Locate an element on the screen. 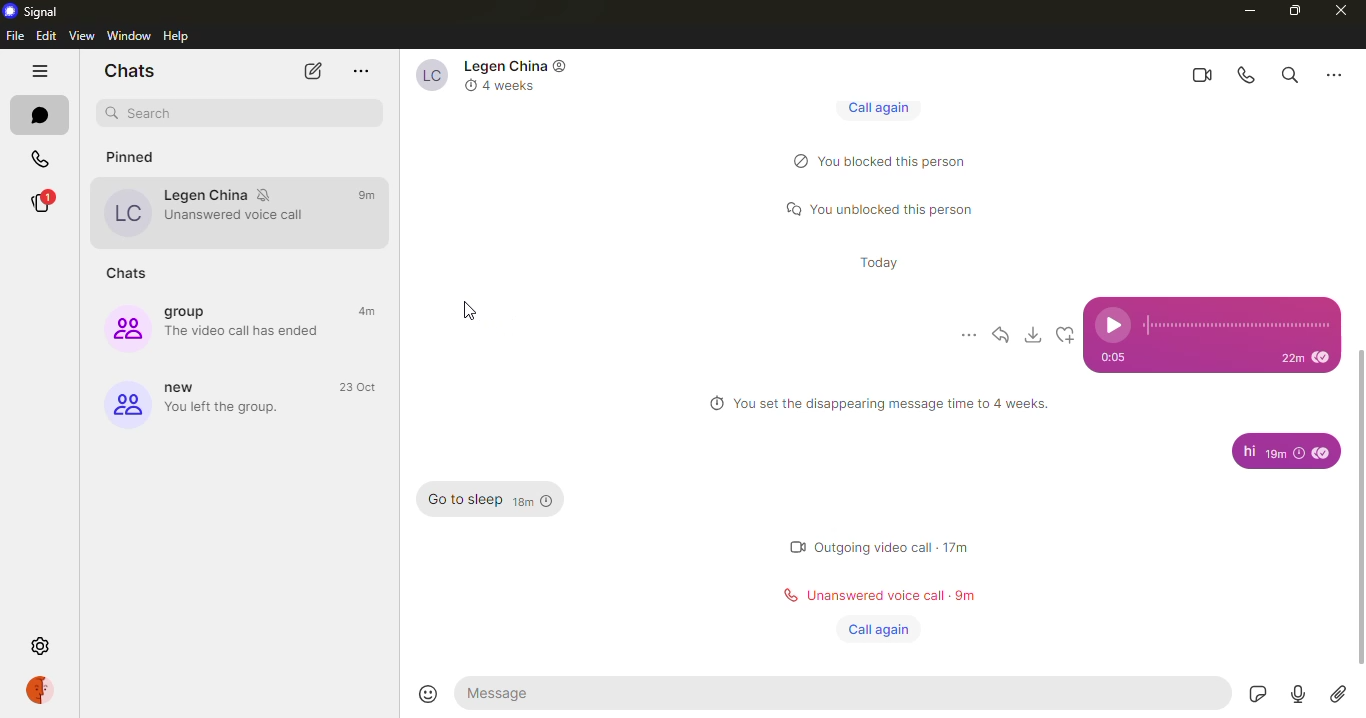 The height and width of the screenshot is (718, 1366). minimize is located at coordinates (1245, 10).